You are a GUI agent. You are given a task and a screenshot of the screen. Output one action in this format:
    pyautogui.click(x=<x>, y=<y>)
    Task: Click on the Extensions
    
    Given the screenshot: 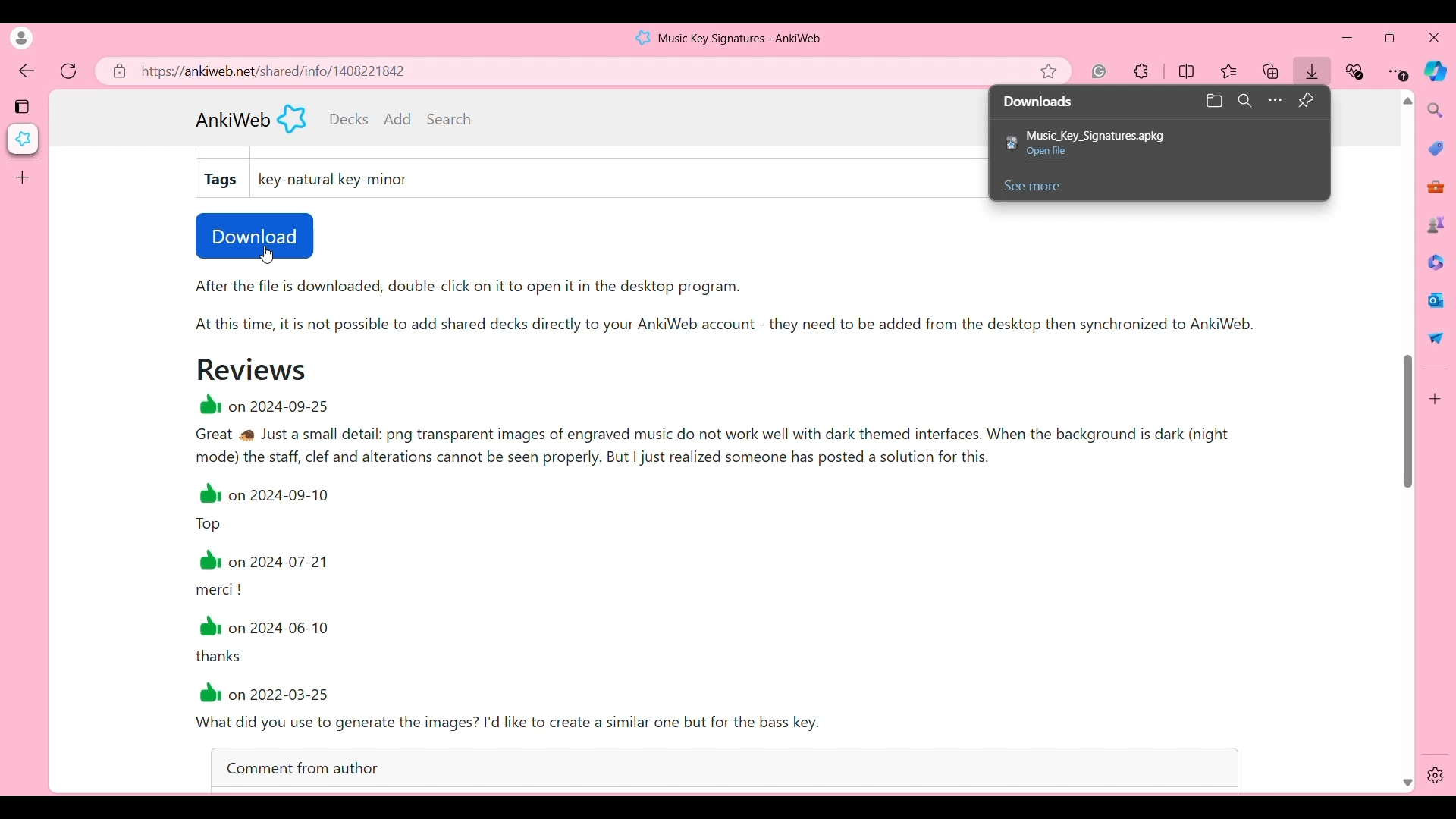 What is the action you would take?
    pyautogui.click(x=1141, y=71)
    